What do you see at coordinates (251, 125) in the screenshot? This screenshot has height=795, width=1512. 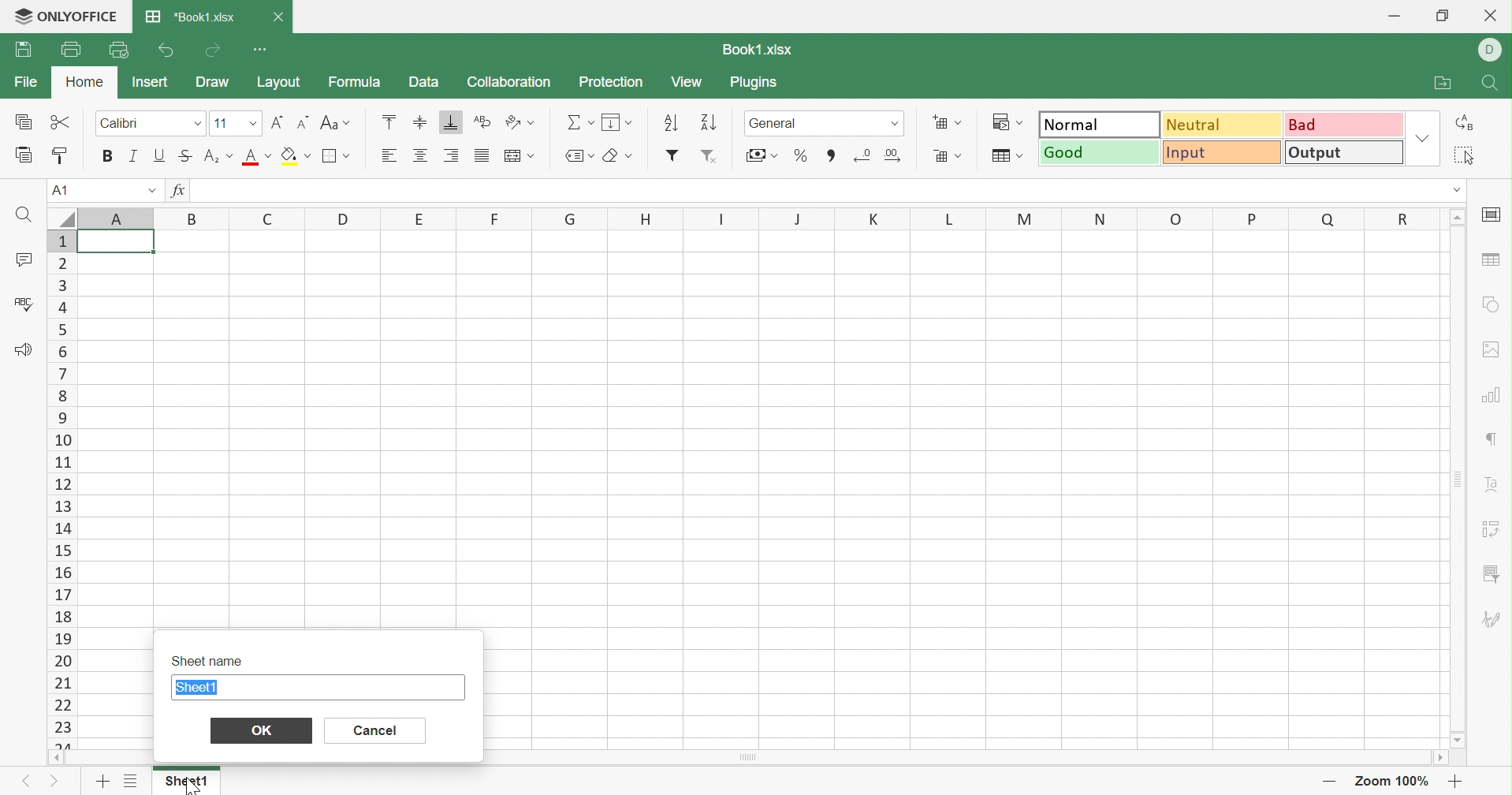 I see `Font sizes` at bounding box center [251, 125].